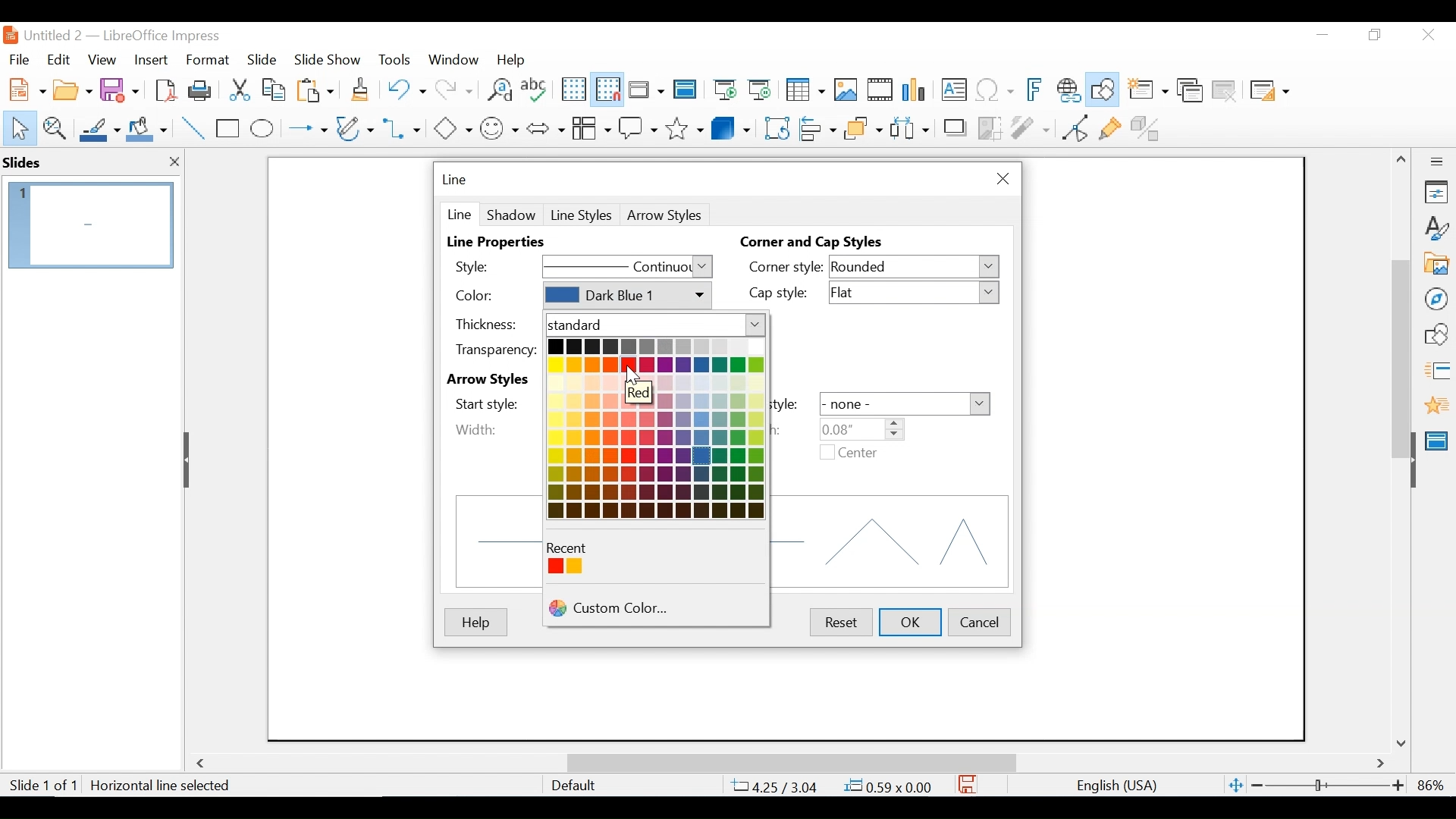 The image size is (1456, 819). What do you see at coordinates (858, 454) in the screenshot?
I see `Center` at bounding box center [858, 454].